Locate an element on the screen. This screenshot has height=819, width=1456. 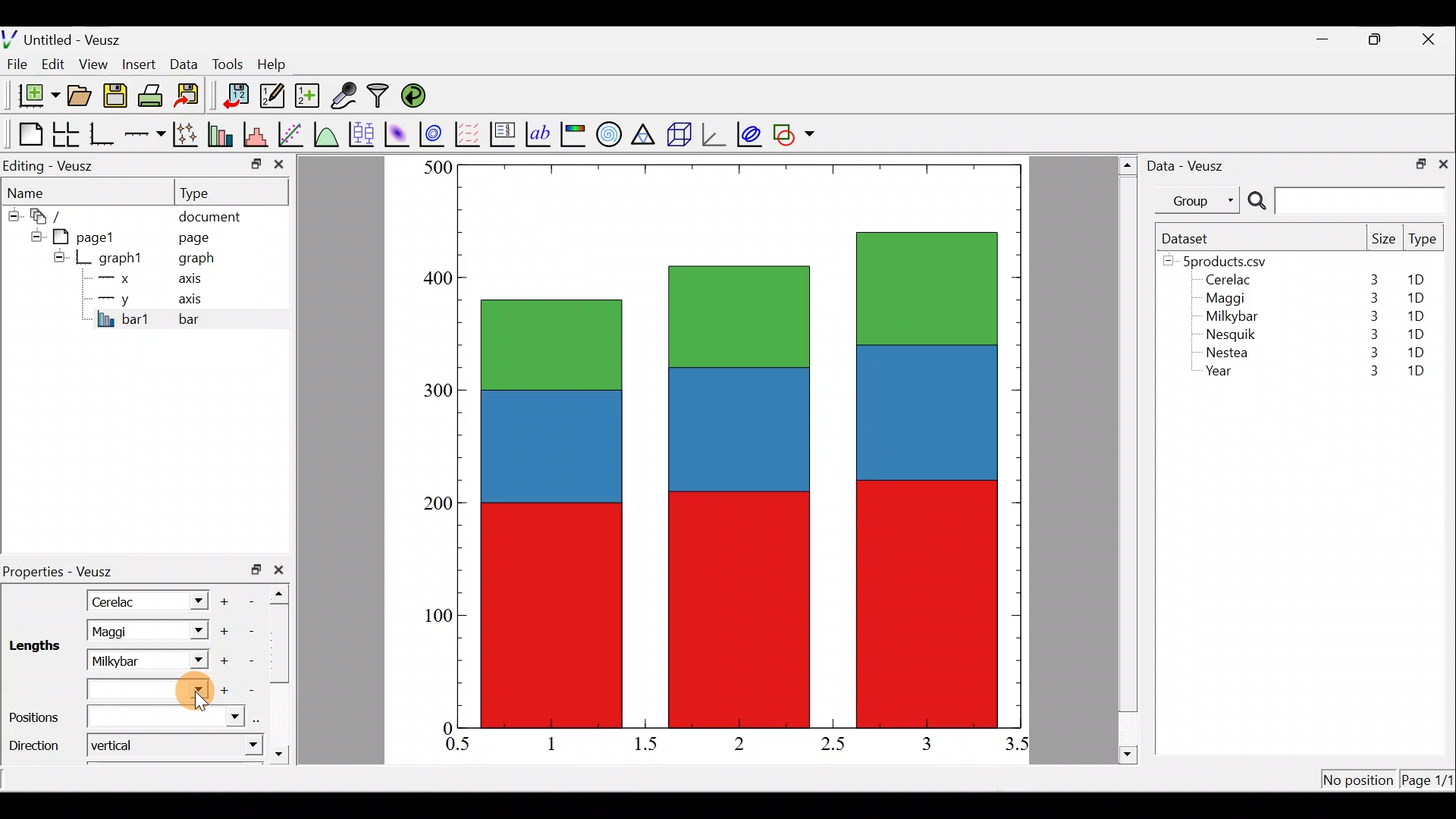
Milkybar is located at coordinates (129, 661).